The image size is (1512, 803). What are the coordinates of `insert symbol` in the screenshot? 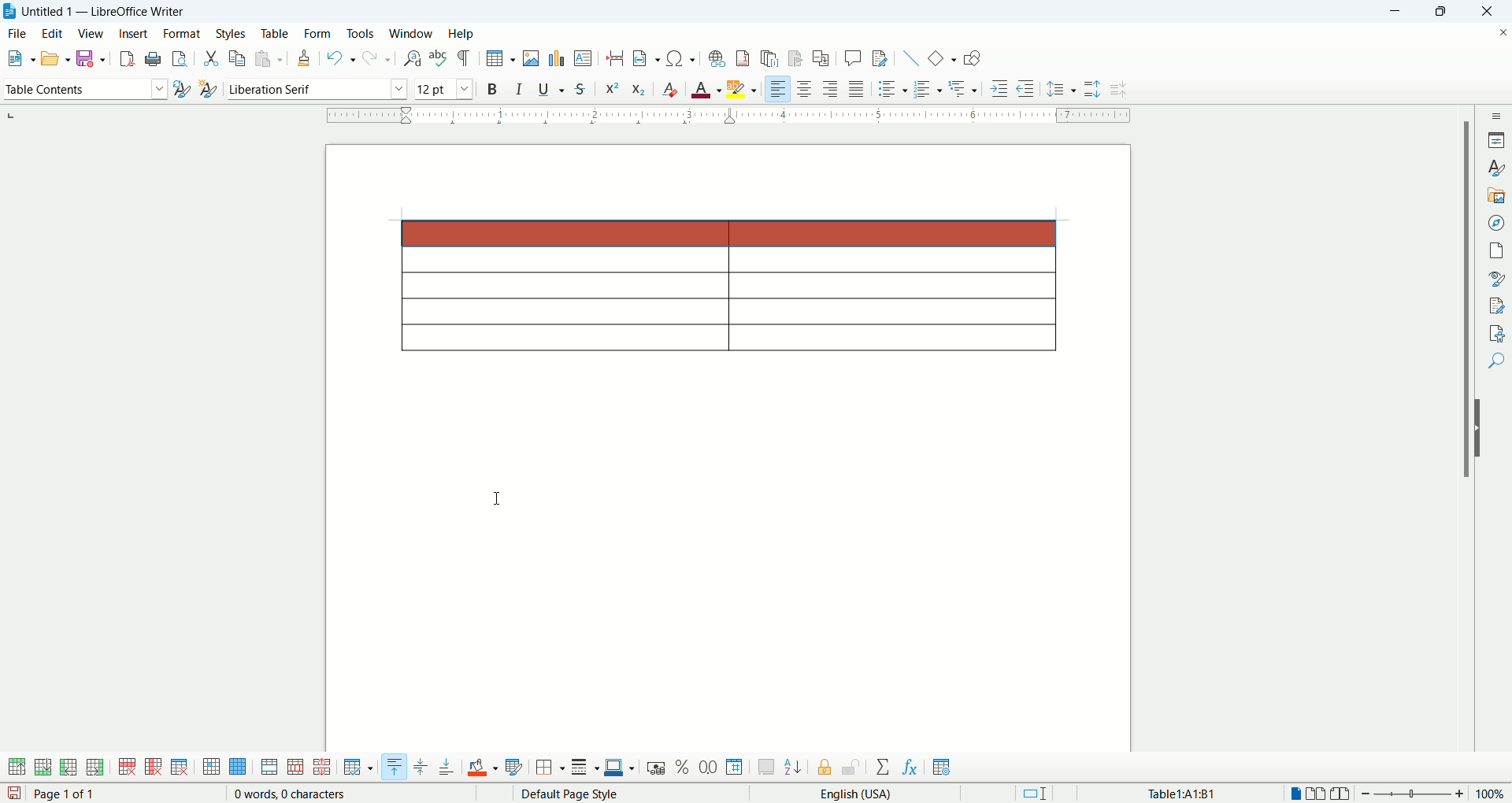 It's located at (682, 57).